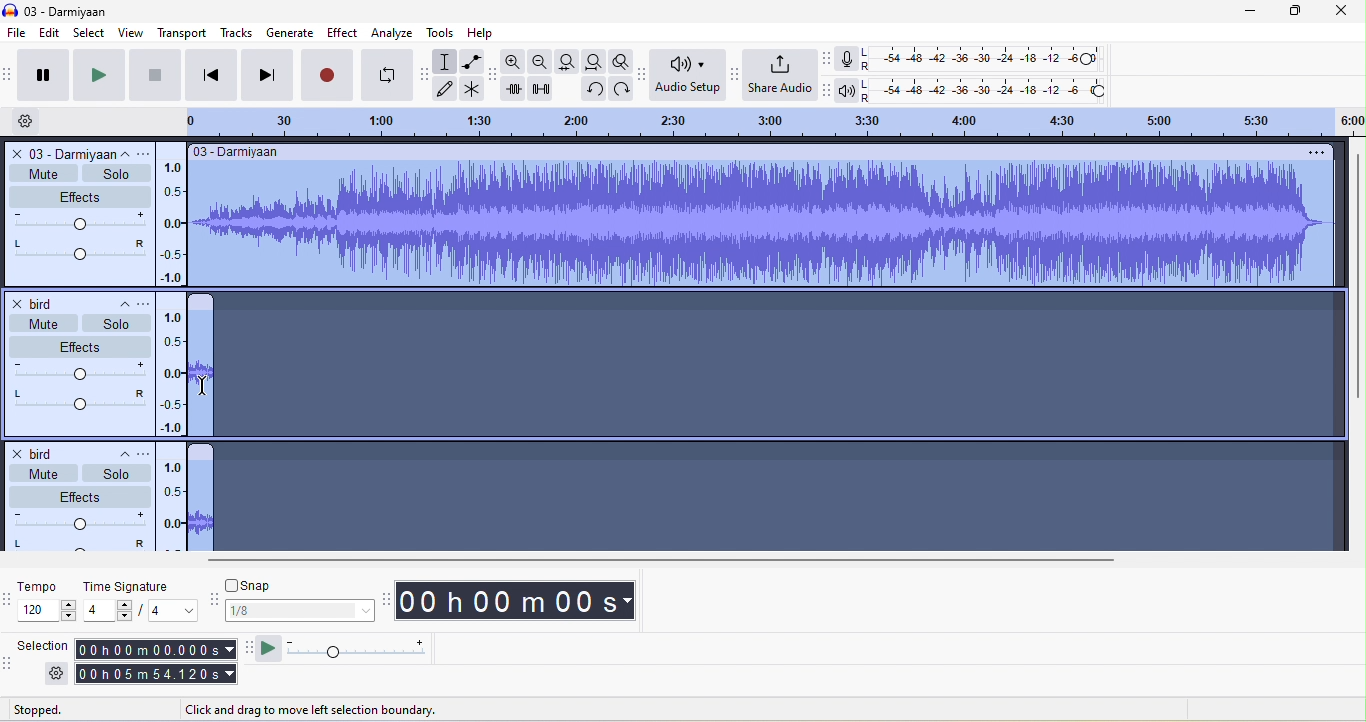 The height and width of the screenshot is (722, 1366). I want to click on option, so click(1314, 152).